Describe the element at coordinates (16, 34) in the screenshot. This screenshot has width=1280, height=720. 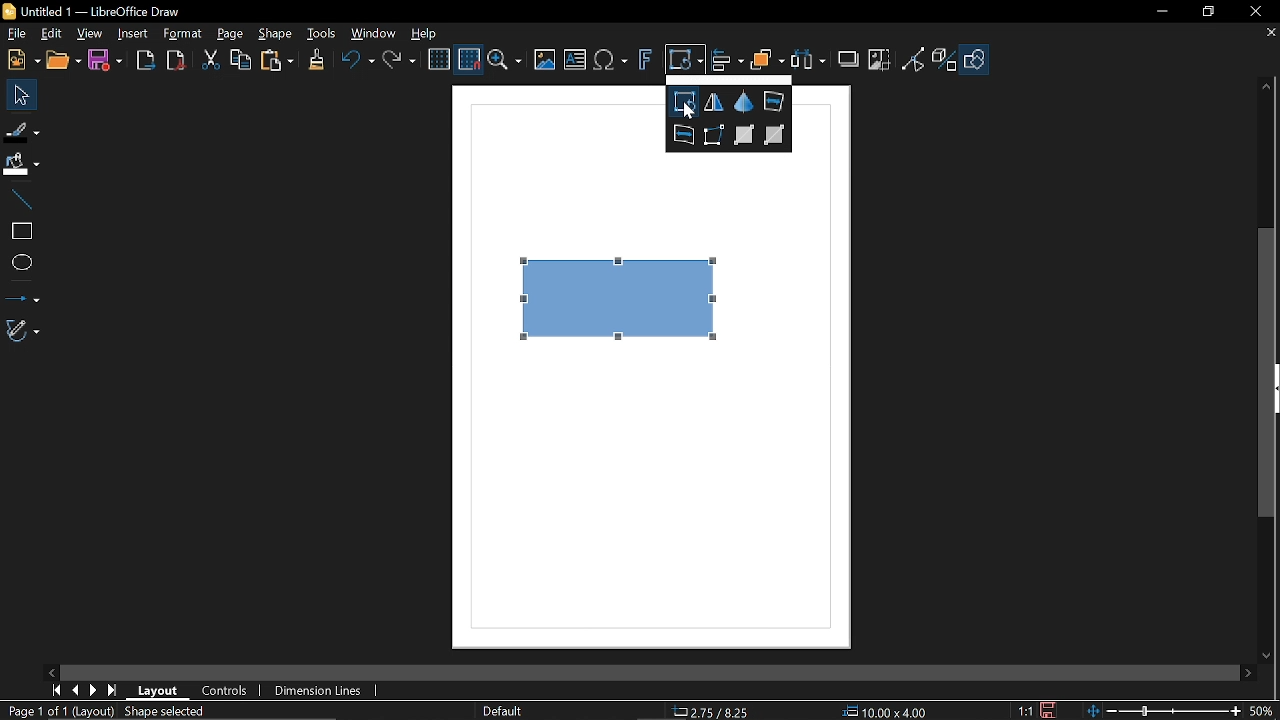
I see `File` at that location.